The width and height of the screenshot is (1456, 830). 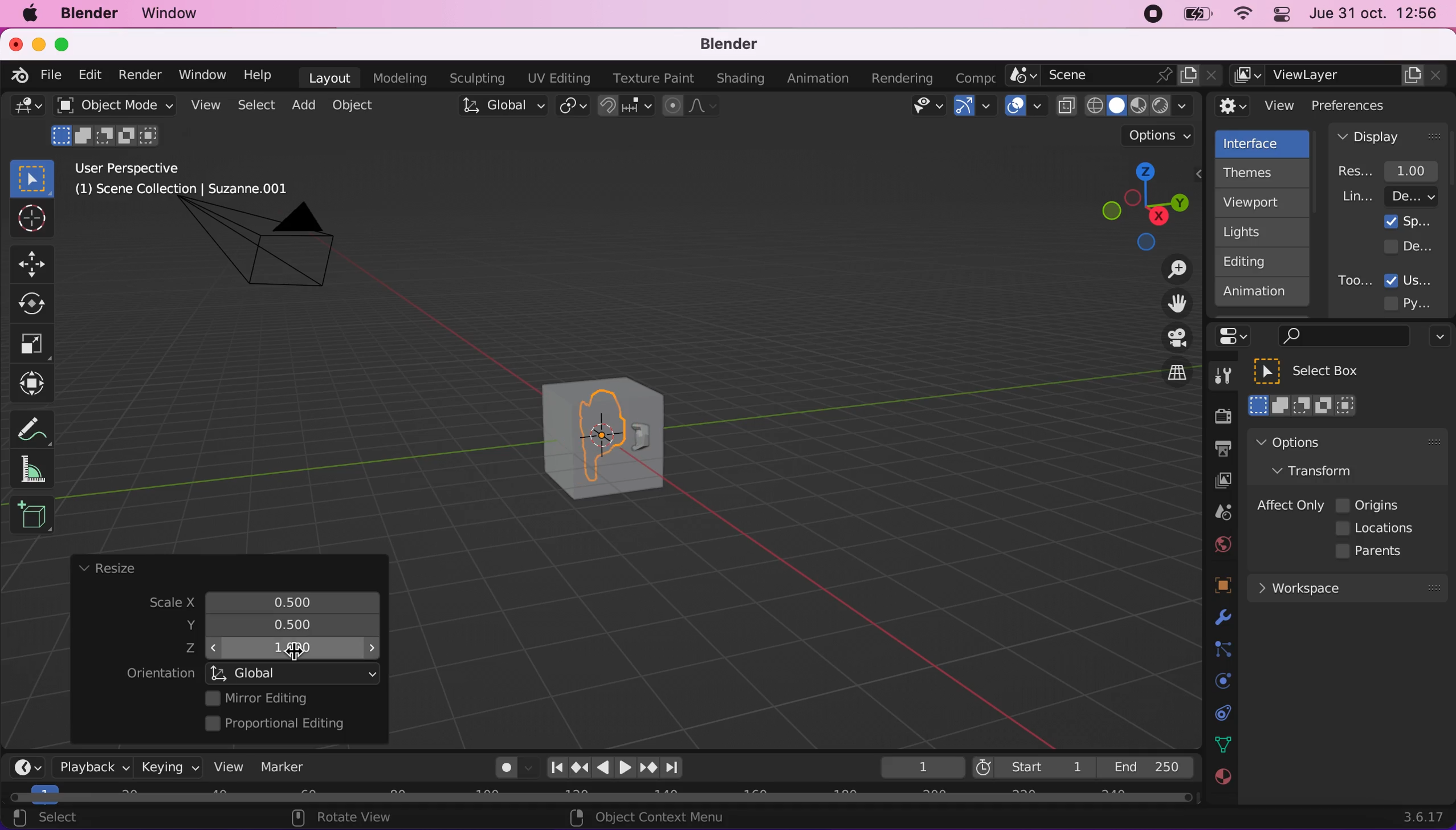 I want to click on workspace, so click(x=1347, y=587).